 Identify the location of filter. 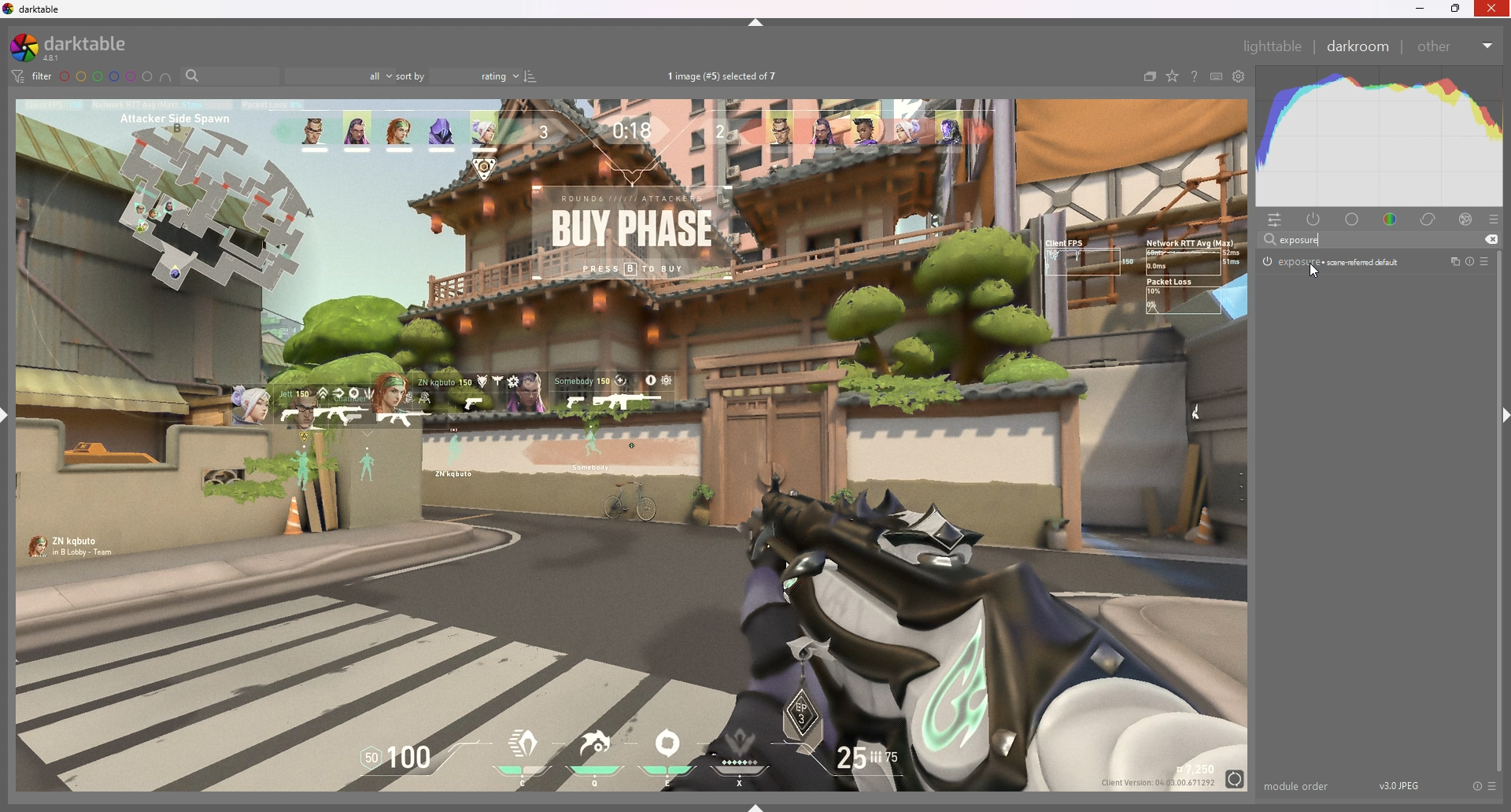
(33, 76).